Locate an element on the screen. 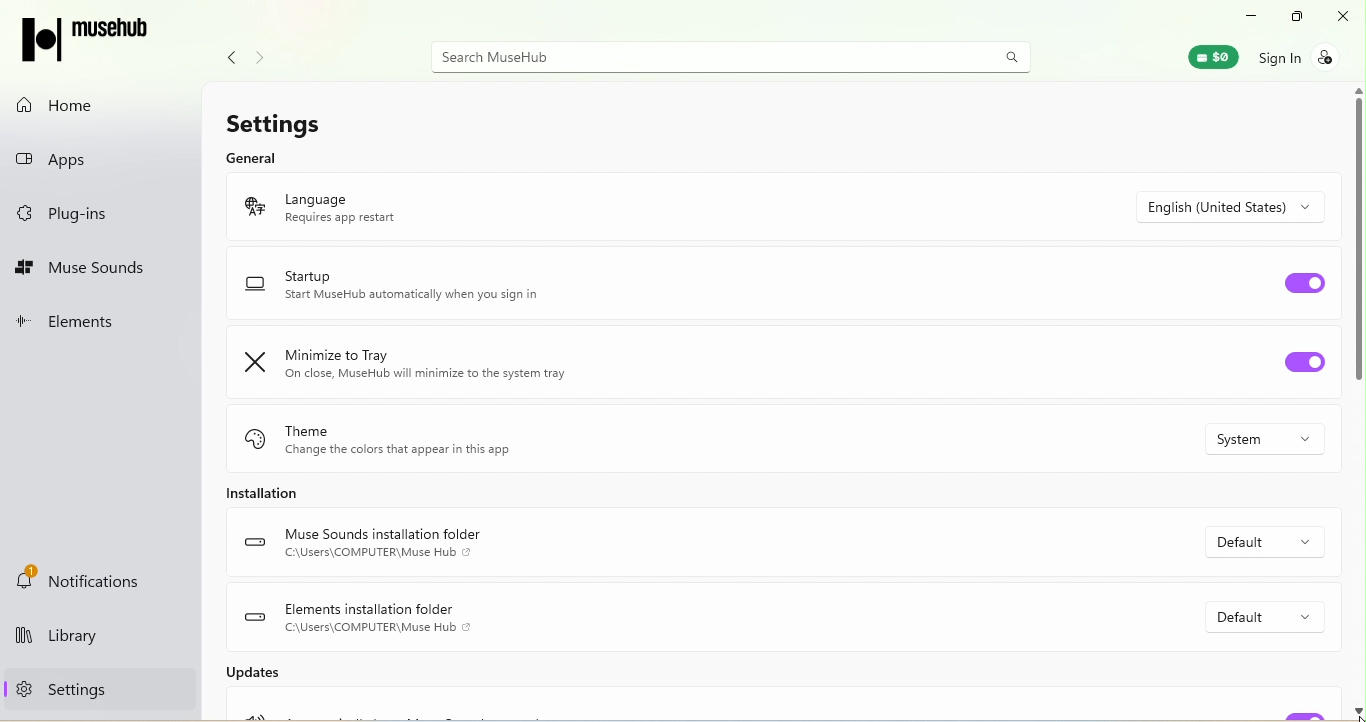 The width and height of the screenshot is (1366, 722). Toggle button is located at coordinates (1299, 290).